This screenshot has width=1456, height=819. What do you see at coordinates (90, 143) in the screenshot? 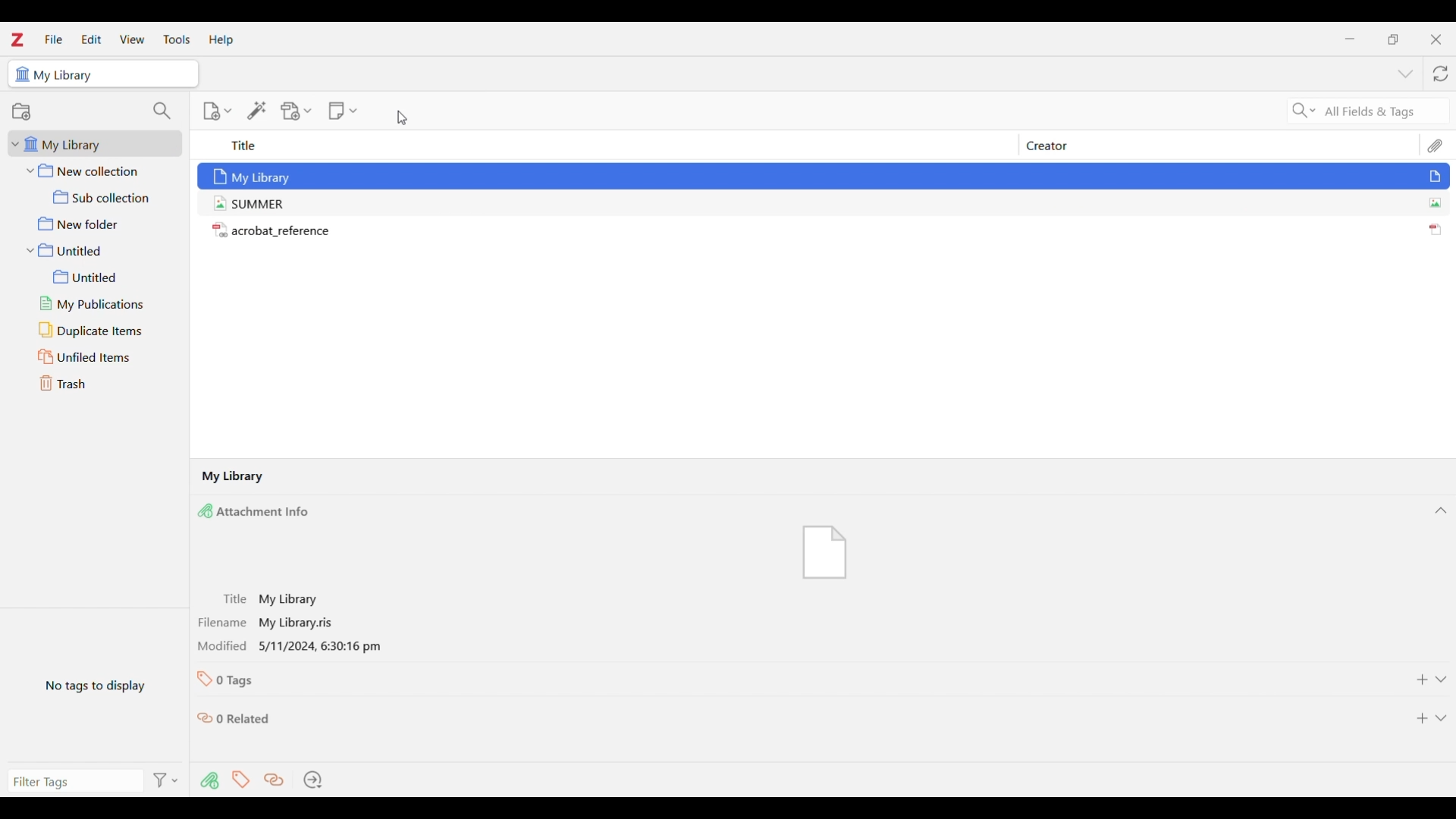
I see `My library folder` at bounding box center [90, 143].